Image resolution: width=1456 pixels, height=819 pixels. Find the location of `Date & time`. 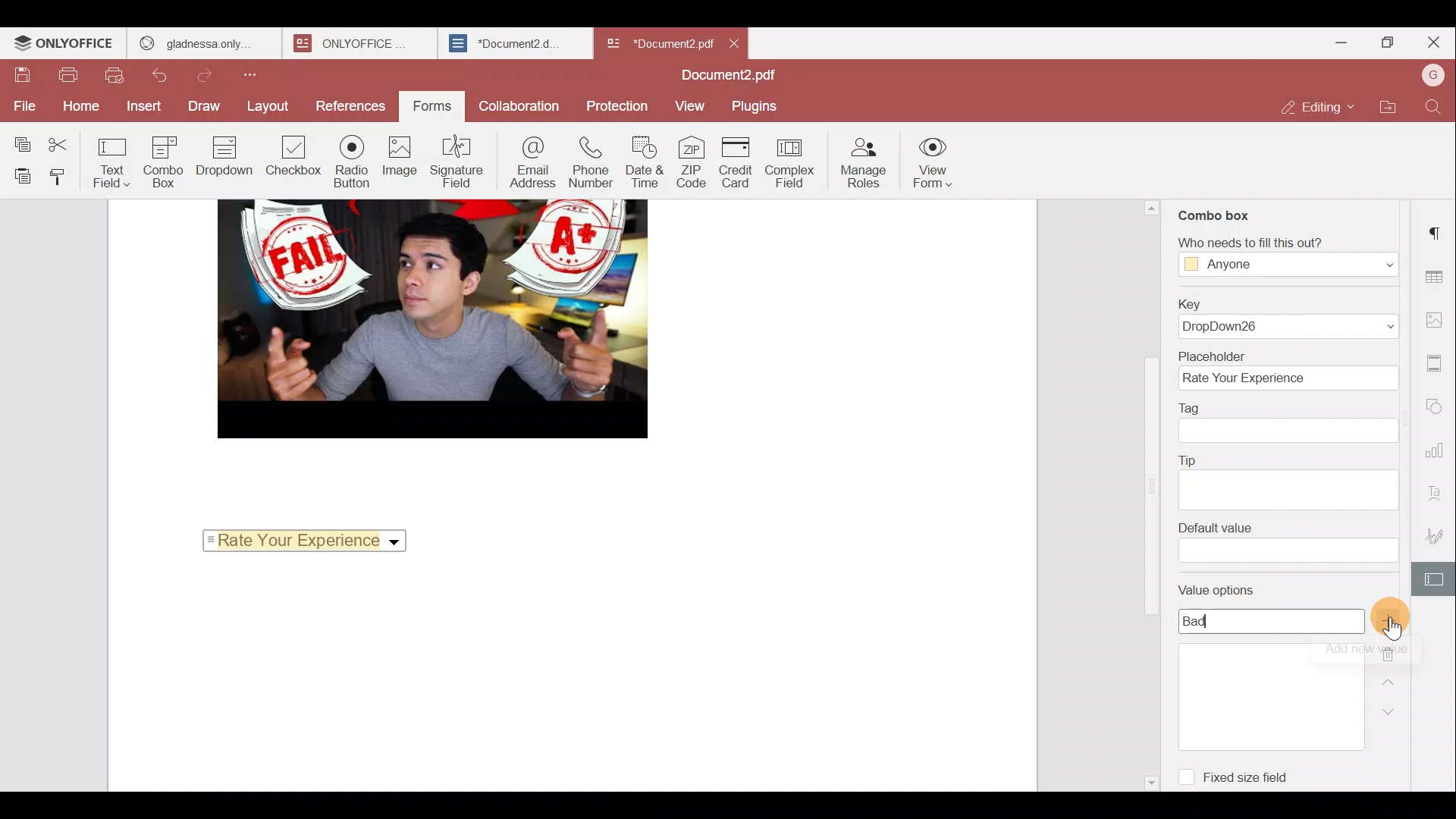

Date & time is located at coordinates (645, 165).